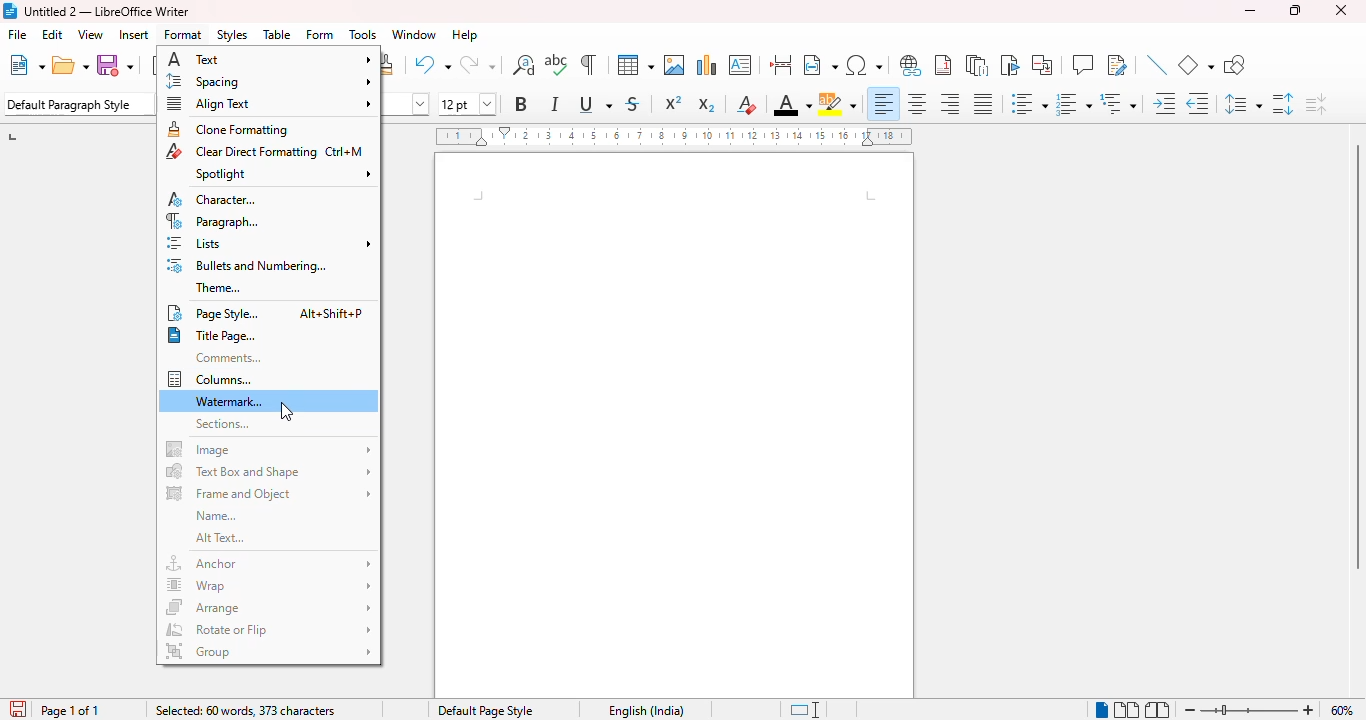 This screenshot has height=720, width=1366. Describe the element at coordinates (114, 65) in the screenshot. I see `save` at that location.